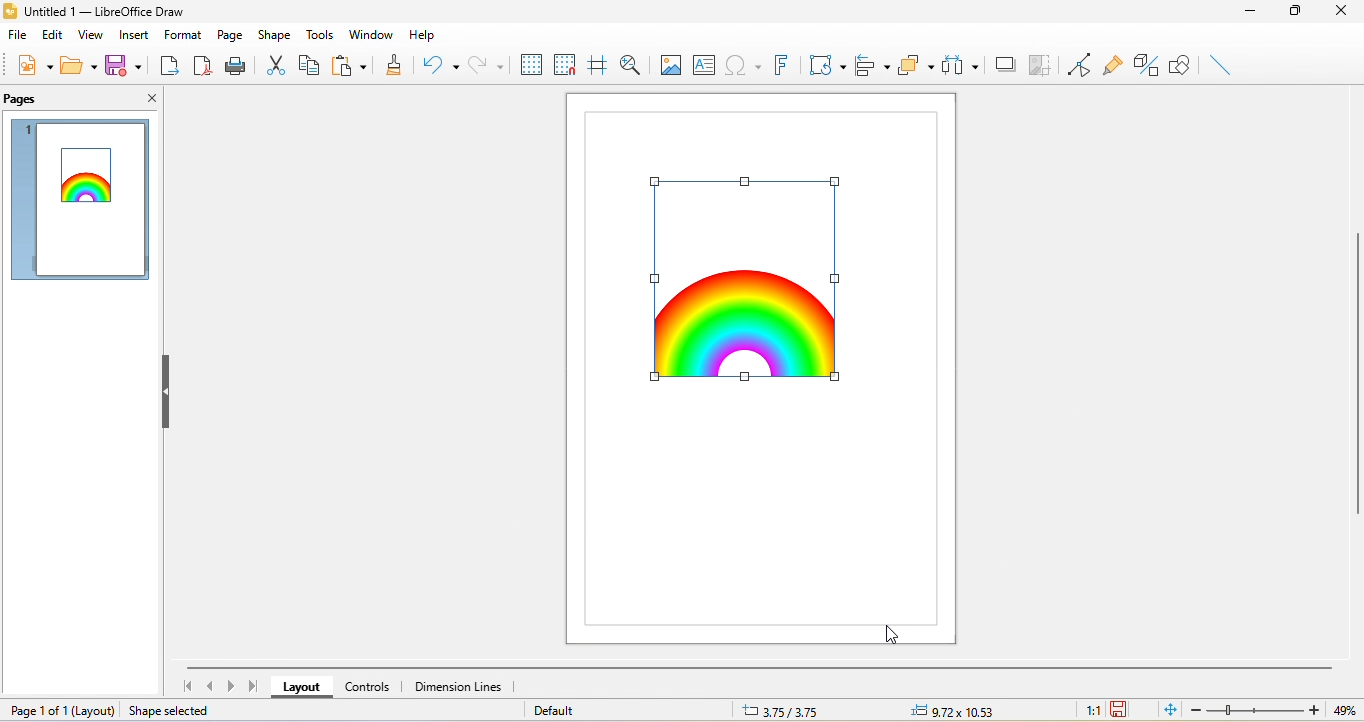 This screenshot has height=722, width=1364. Describe the element at coordinates (1278, 710) in the screenshot. I see `zoom` at that location.